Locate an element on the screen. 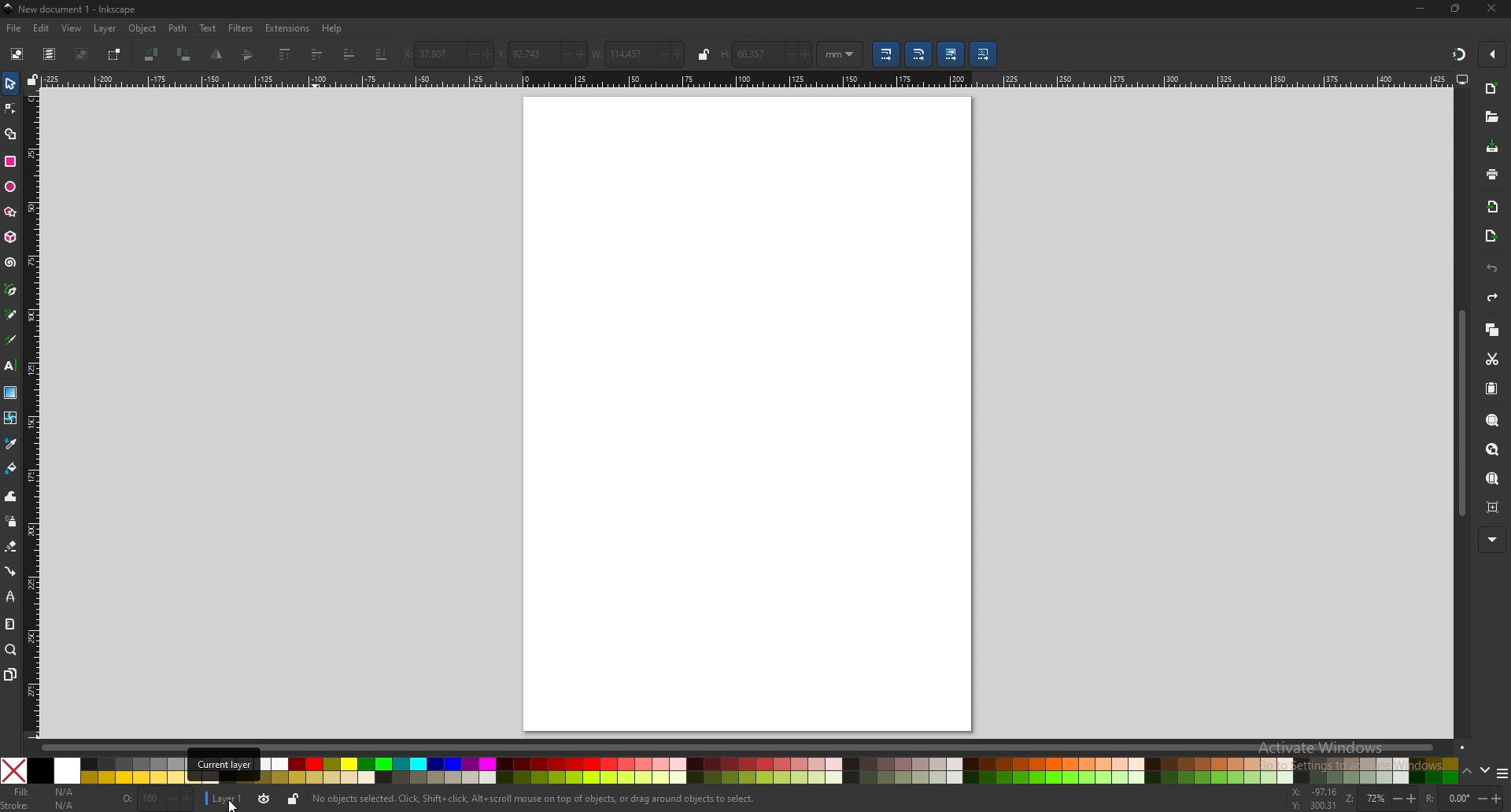 This screenshot has width=1511, height=812. filters is located at coordinates (242, 28).